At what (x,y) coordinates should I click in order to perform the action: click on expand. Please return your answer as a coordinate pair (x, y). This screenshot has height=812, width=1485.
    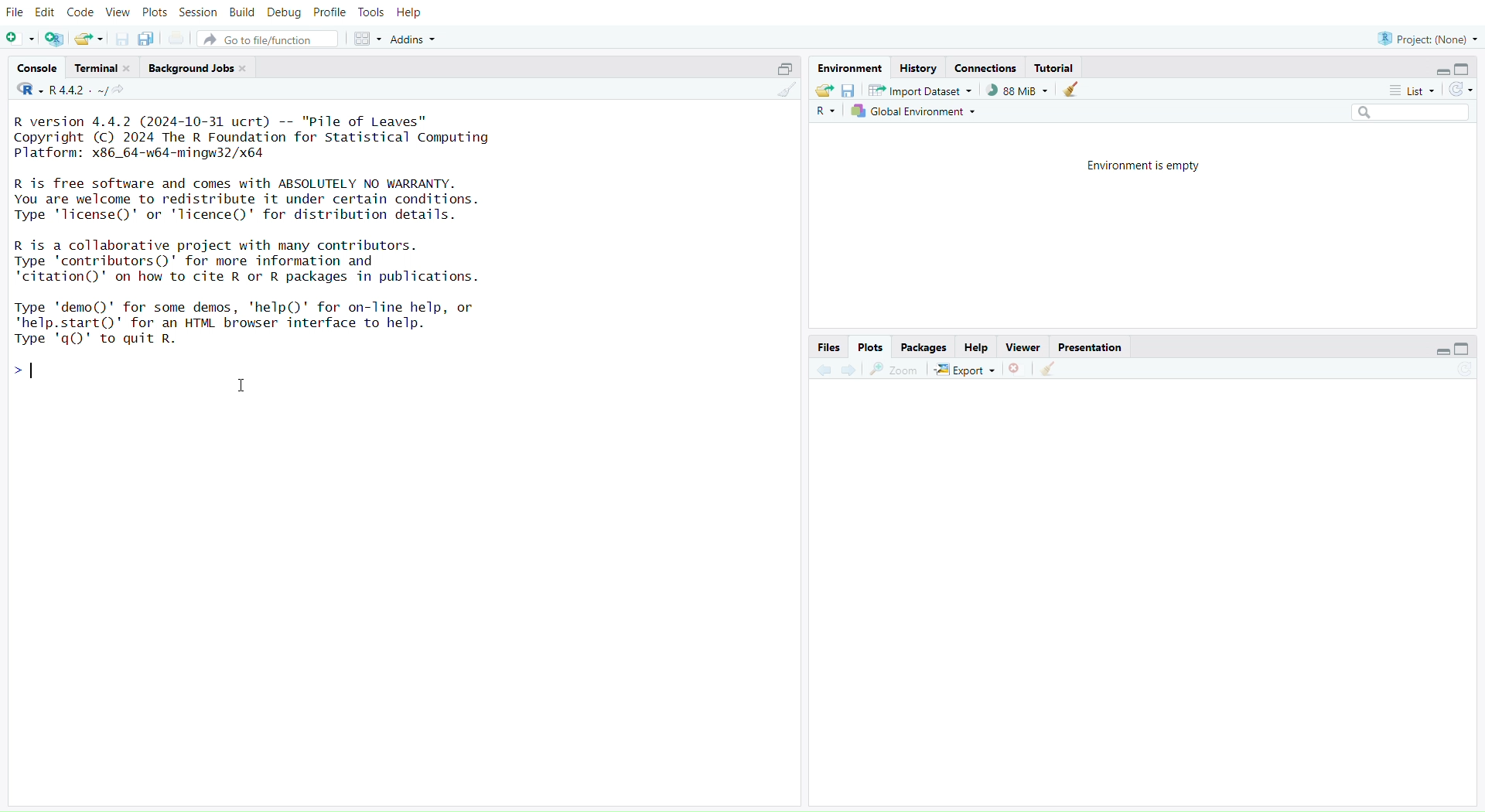
    Looking at the image, I should click on (1440, 72).